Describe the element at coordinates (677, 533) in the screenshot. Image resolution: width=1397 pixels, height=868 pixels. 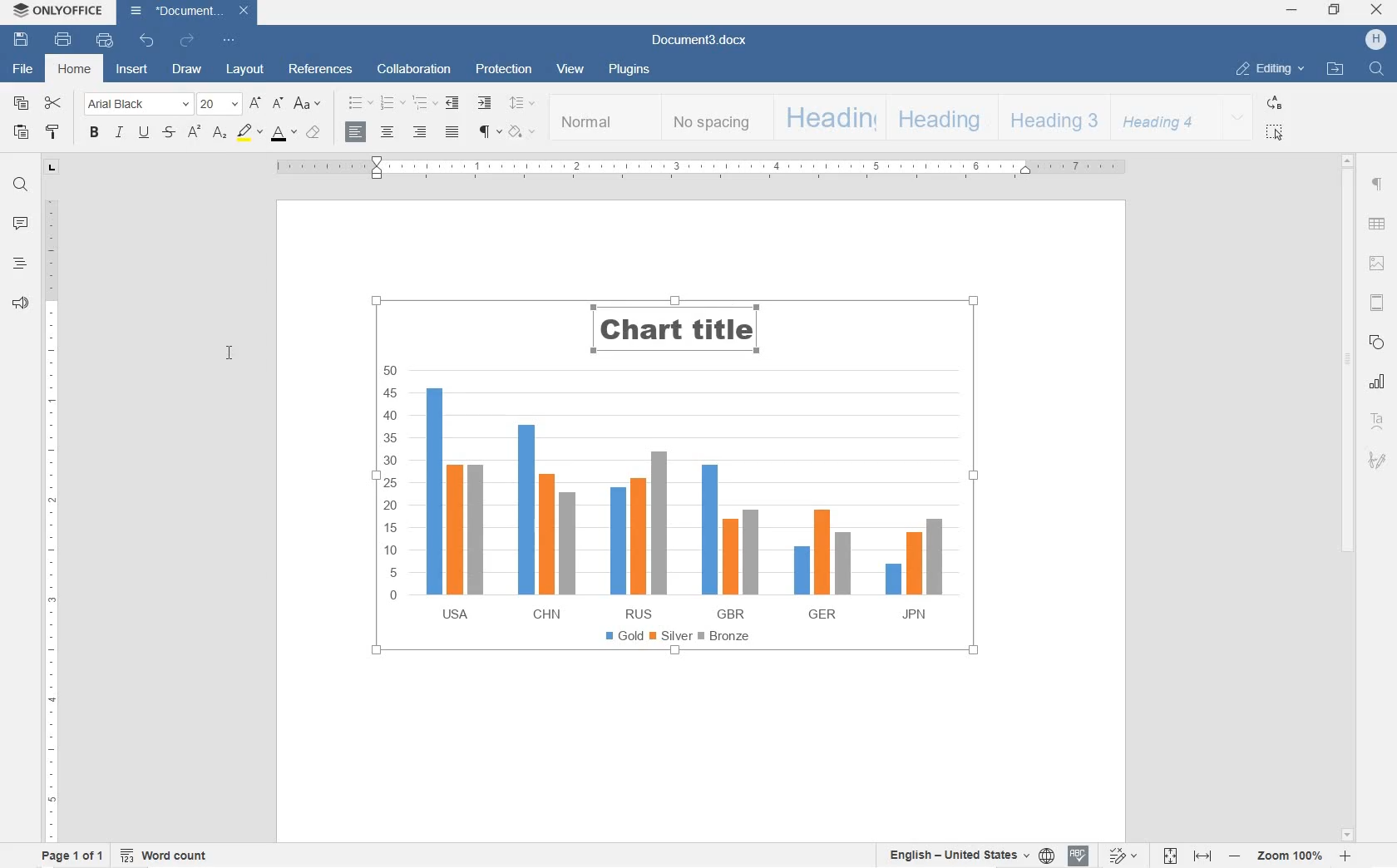
I see `CHART` at that location.